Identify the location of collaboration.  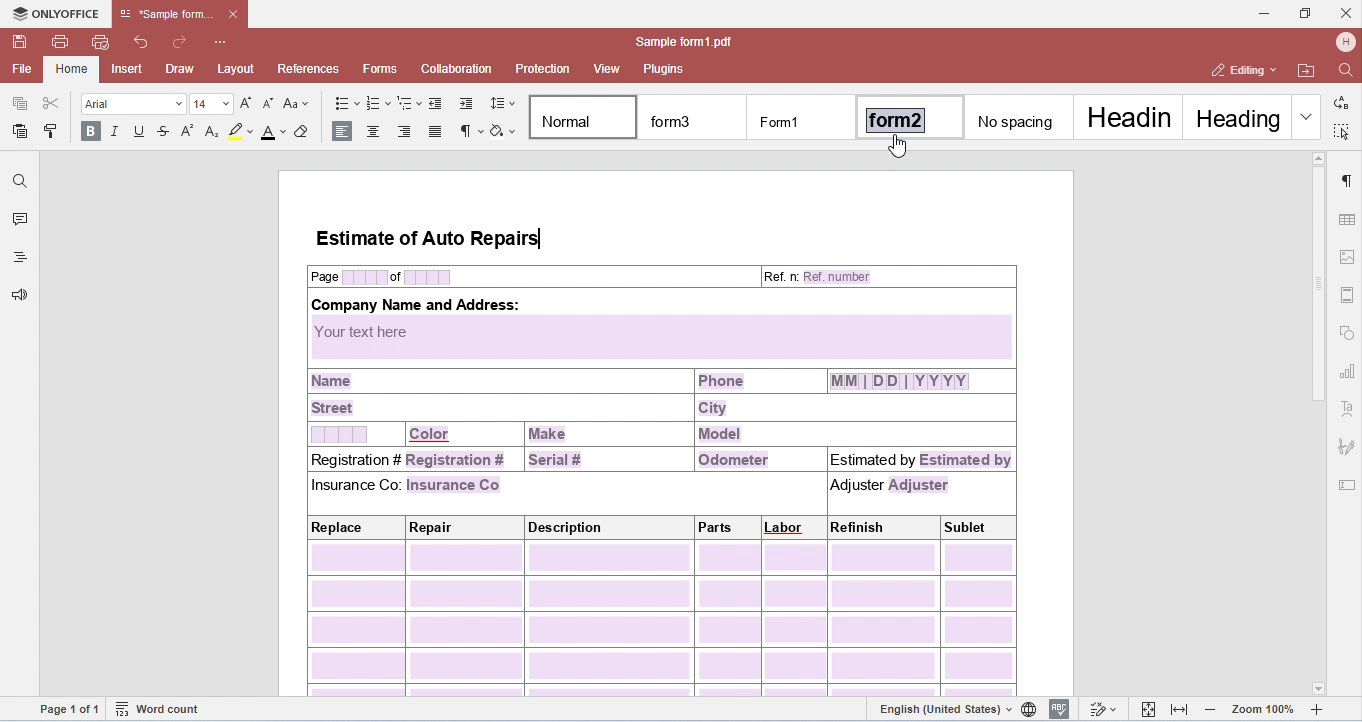
(457, 68).